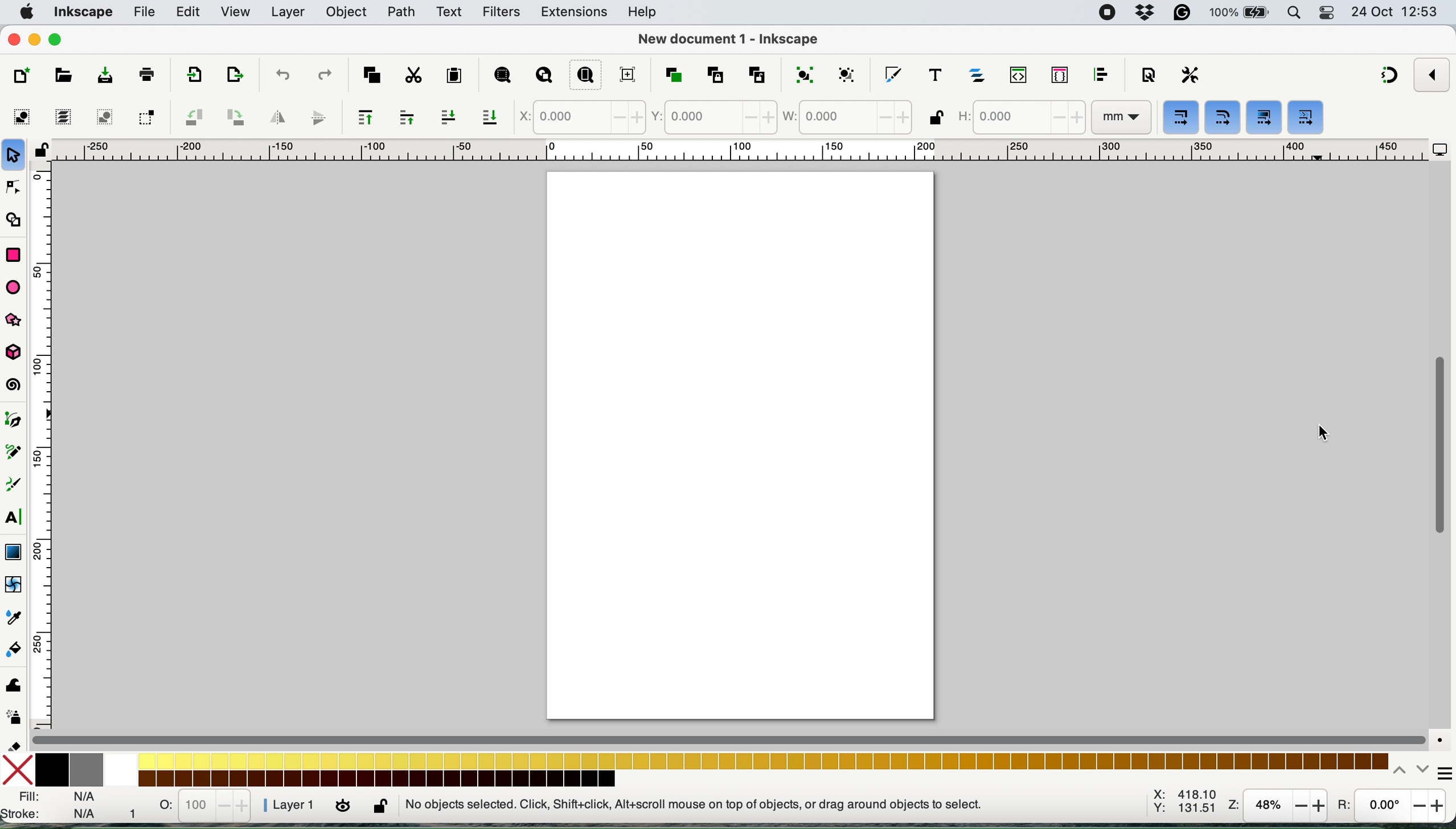 This screenshot has width=1456, height=829. What do you see at coordinates (934, 118) in the screenshot?
I see `when locked change height and width by same proportion` at bounding box center [934, 118].